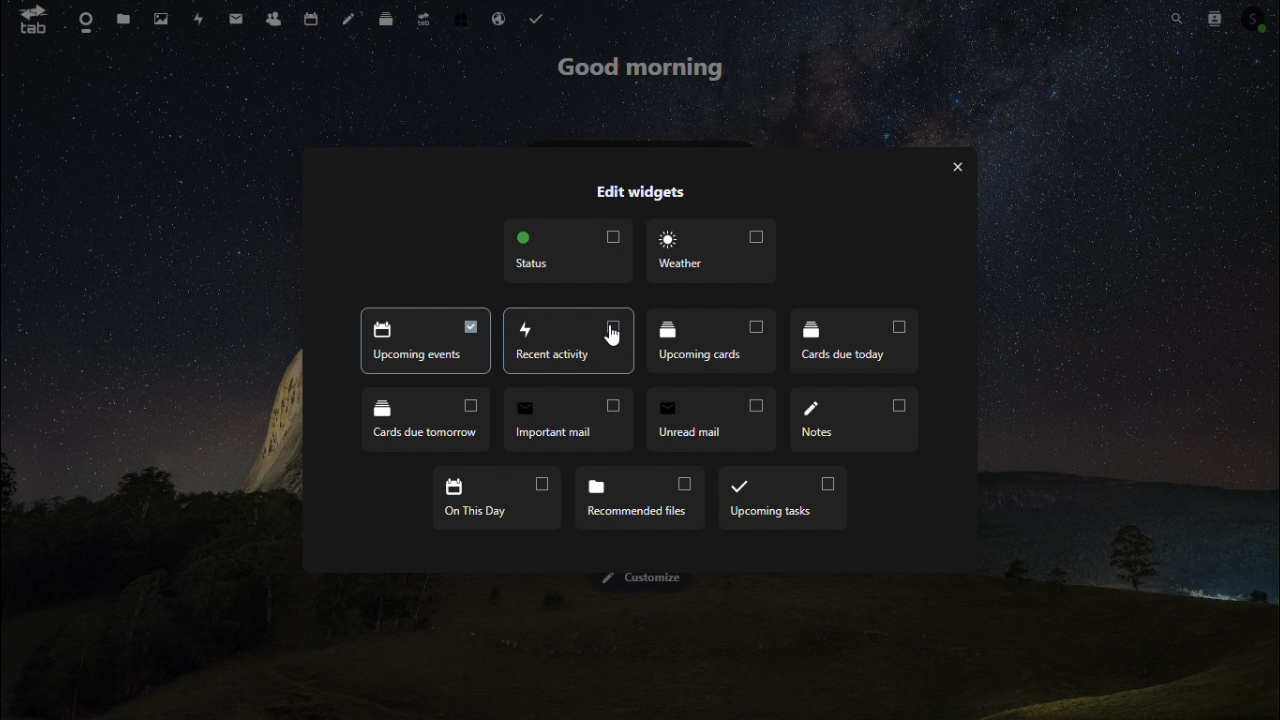 The height and width of the screenshot is (720, 1280). I want to click on Cursor, so click(617, 336).